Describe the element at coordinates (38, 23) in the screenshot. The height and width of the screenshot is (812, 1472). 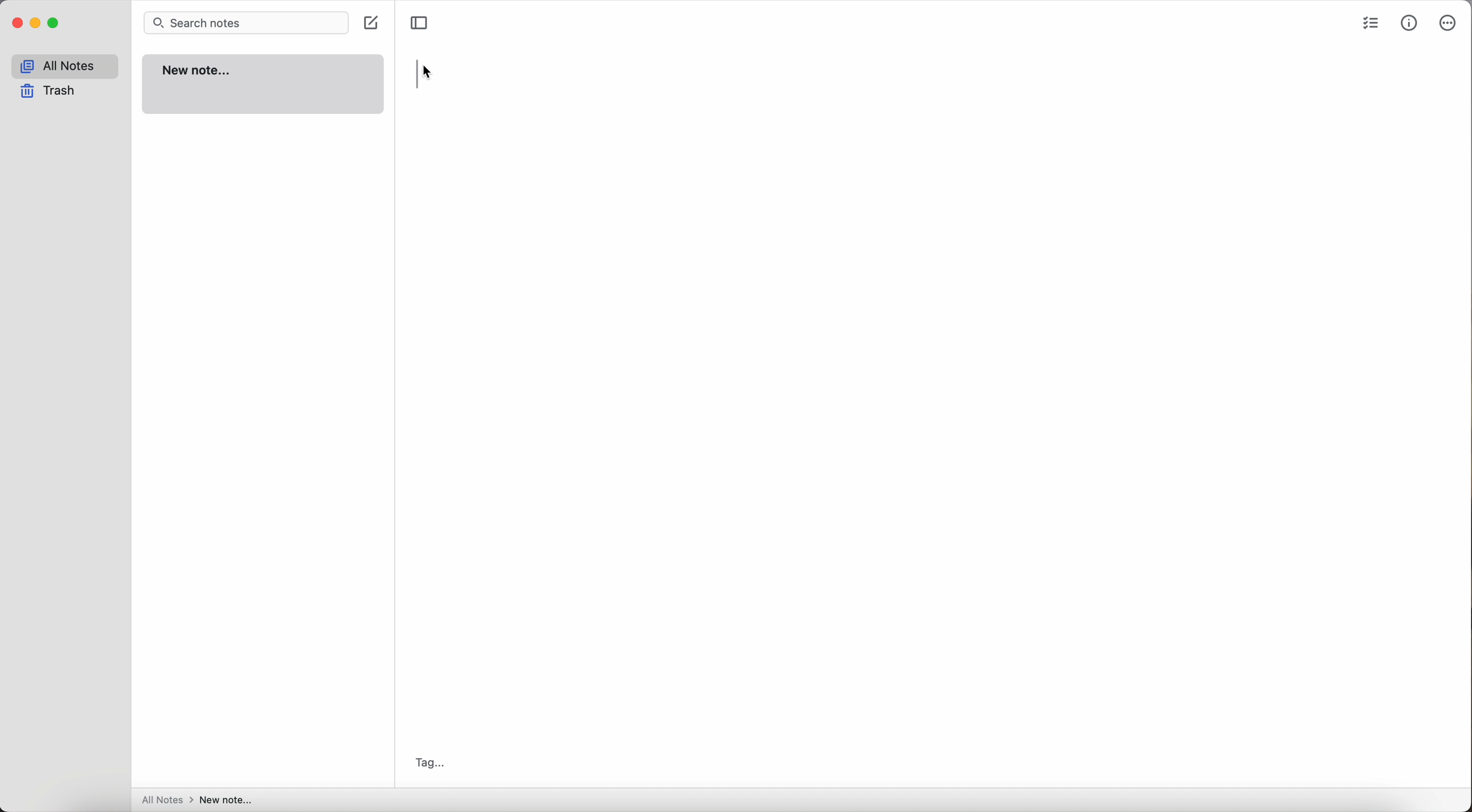
I see `minimize Simplenote` at that location.